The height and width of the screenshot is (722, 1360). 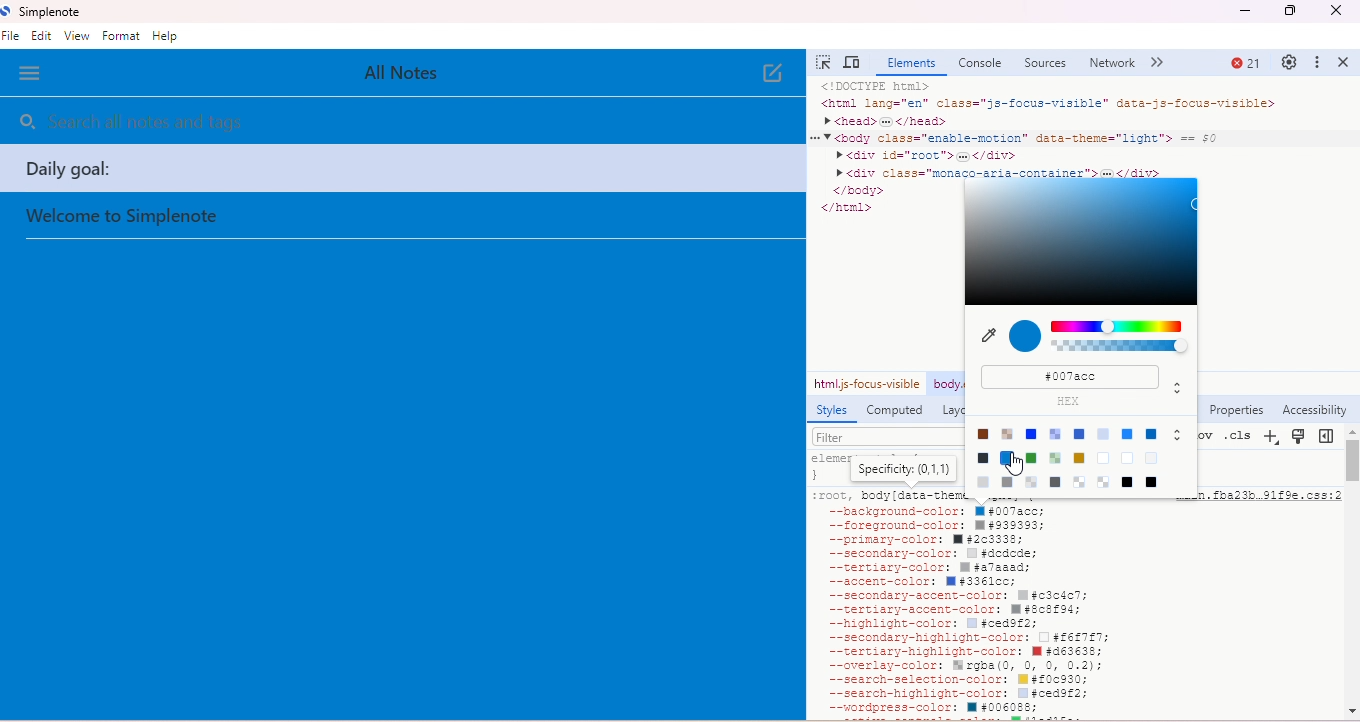 I want to click on show computed styles sidebar, so click(x=1328, y=436).